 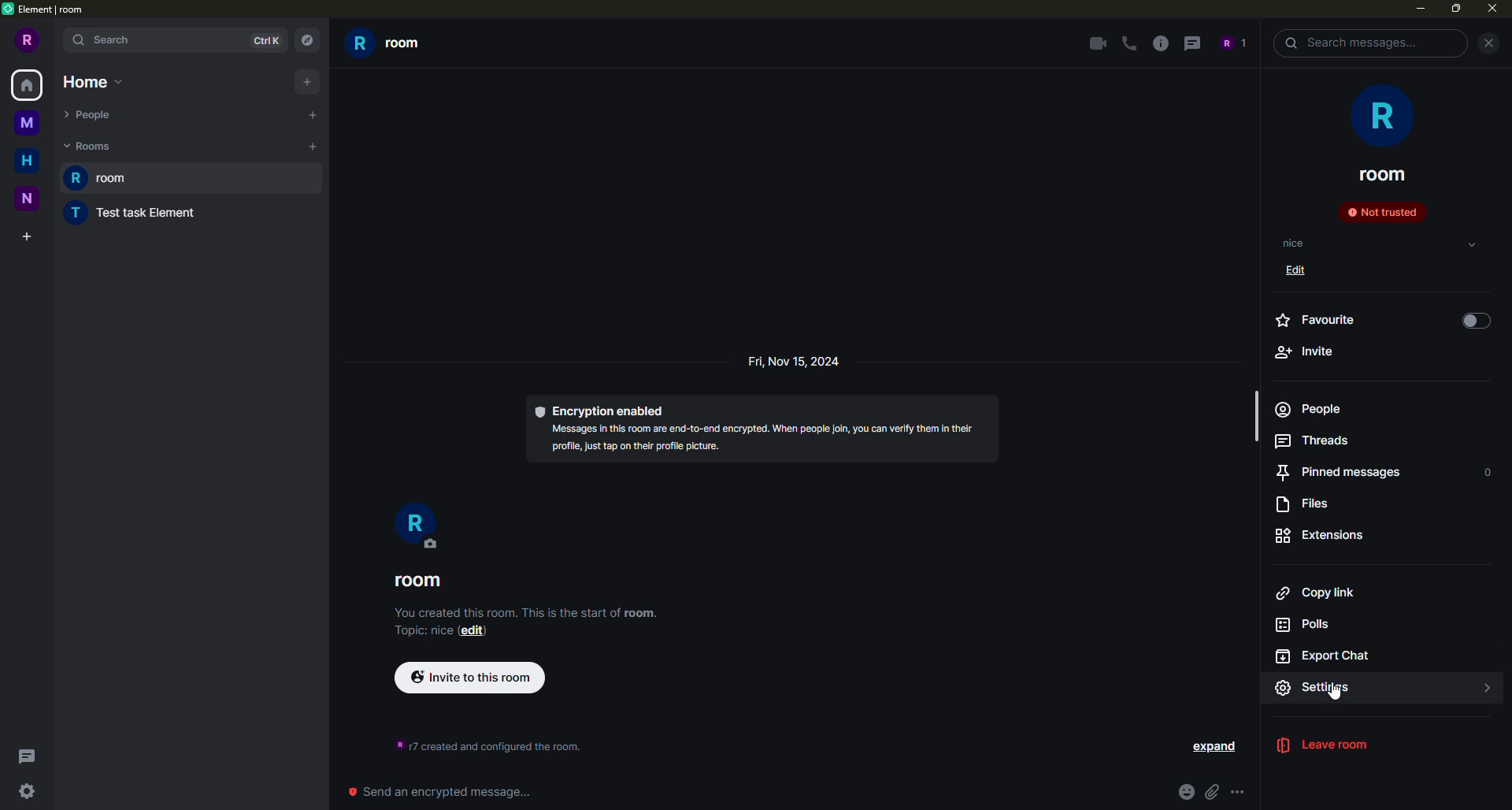 I want to click on files, so click(x=1310, y=504).